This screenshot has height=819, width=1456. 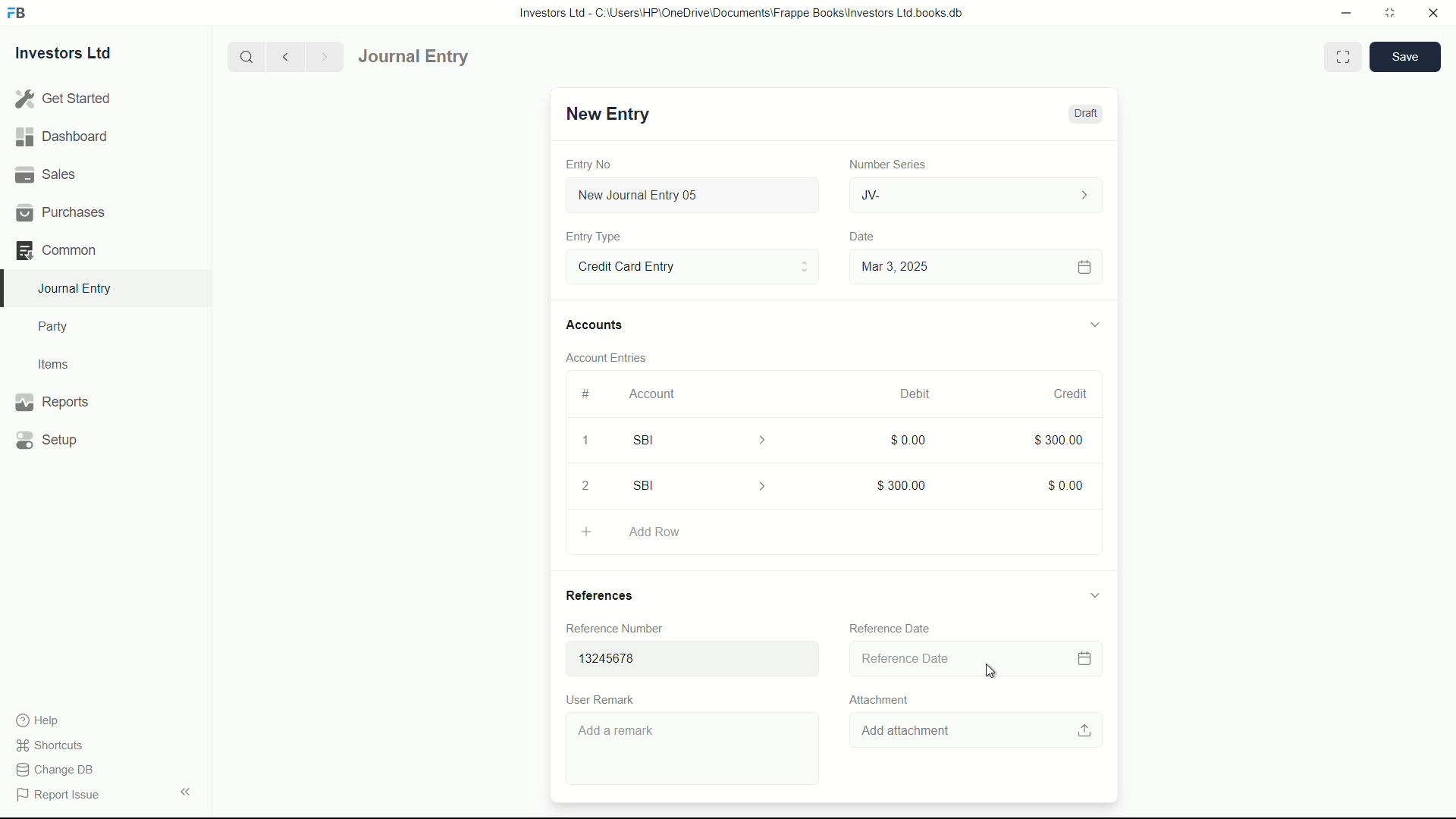 I want to click on Reference Date, so click(x=890, y=626).